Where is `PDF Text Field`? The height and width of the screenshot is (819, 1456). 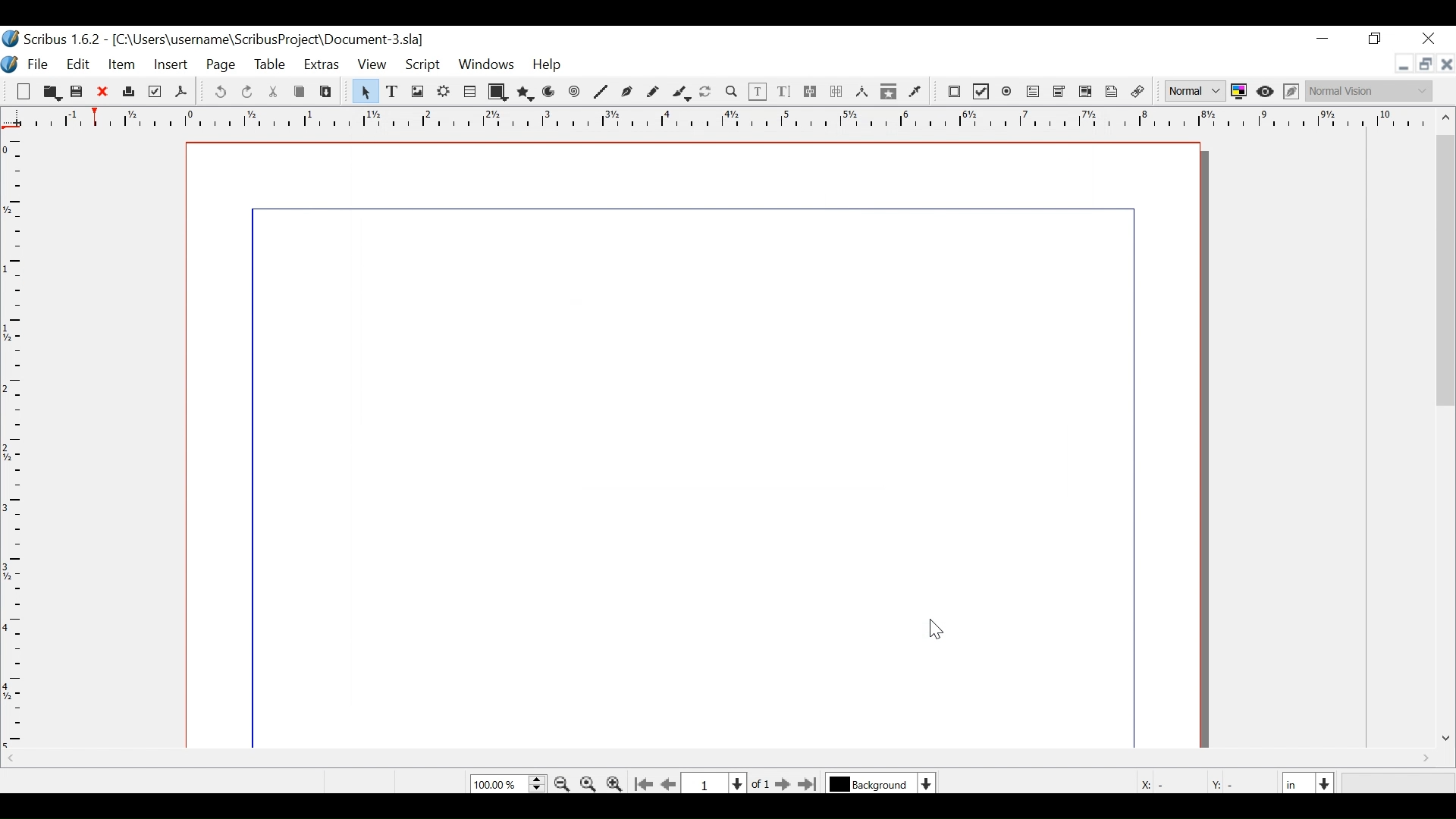 PDF Text Field is located at coordinates (1034, 93).